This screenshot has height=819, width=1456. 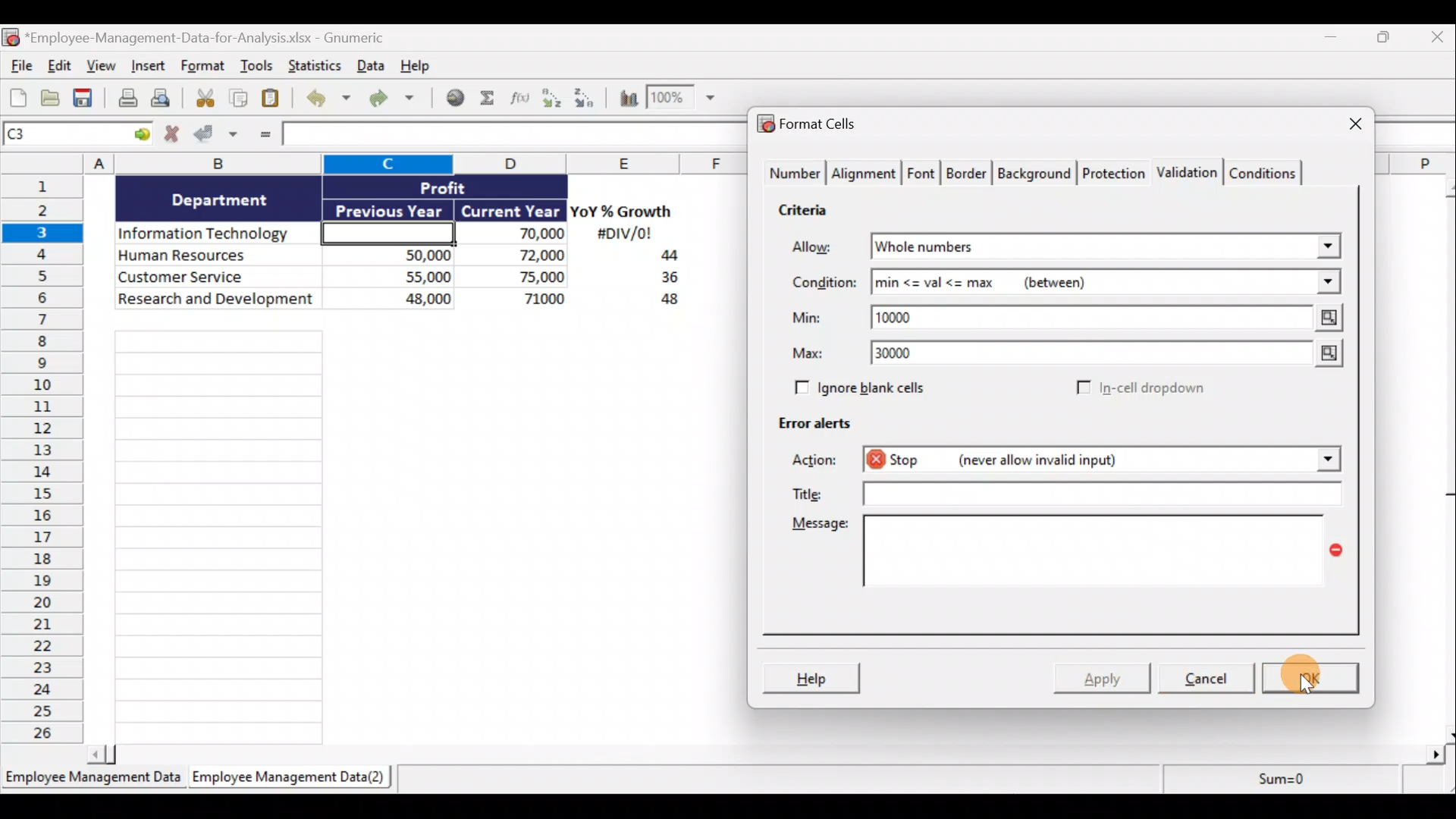 I want to click on Data, so click(x=369, y=65).